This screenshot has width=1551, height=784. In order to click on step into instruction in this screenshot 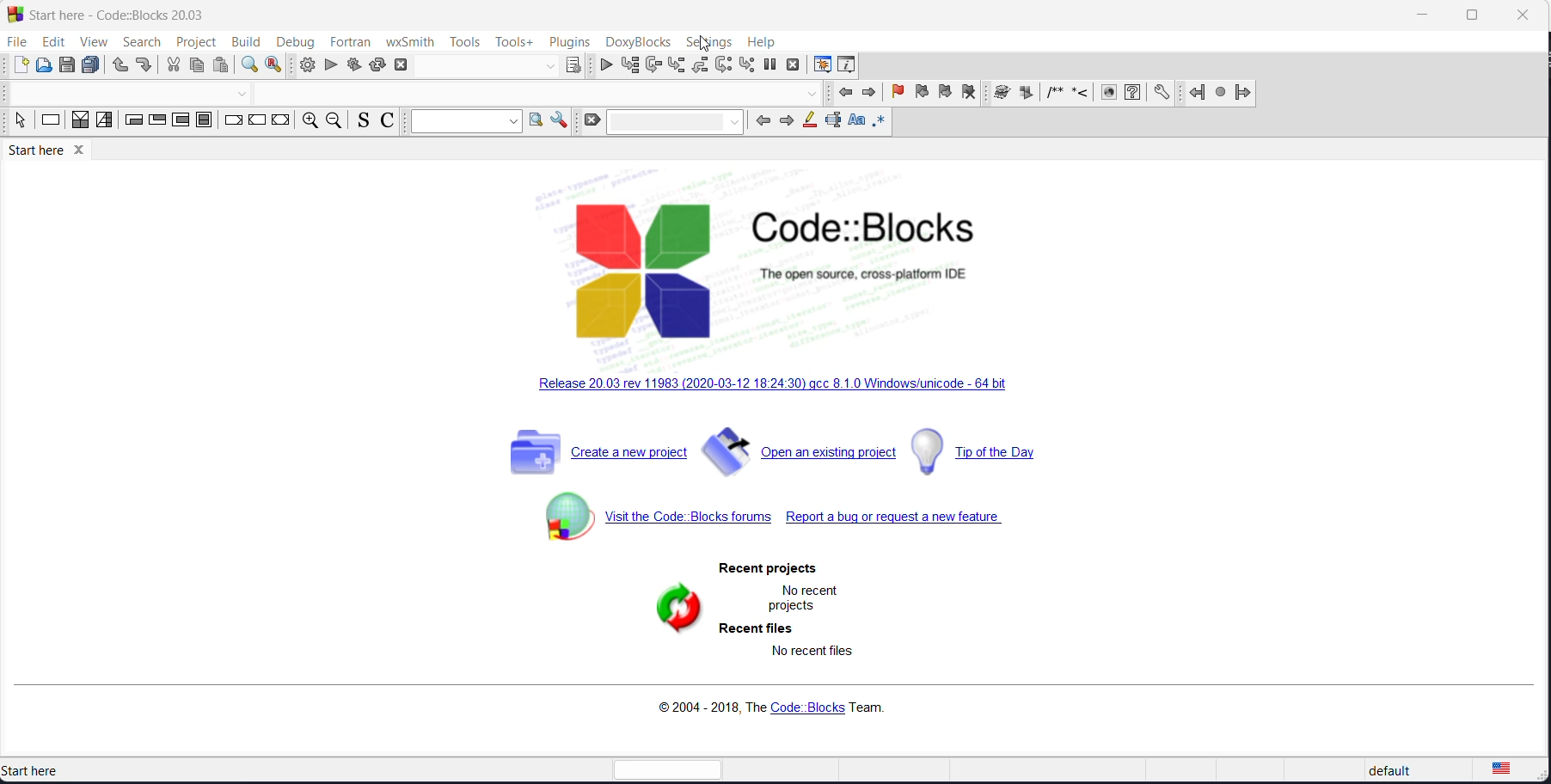, I will do `click(747, 65)`.